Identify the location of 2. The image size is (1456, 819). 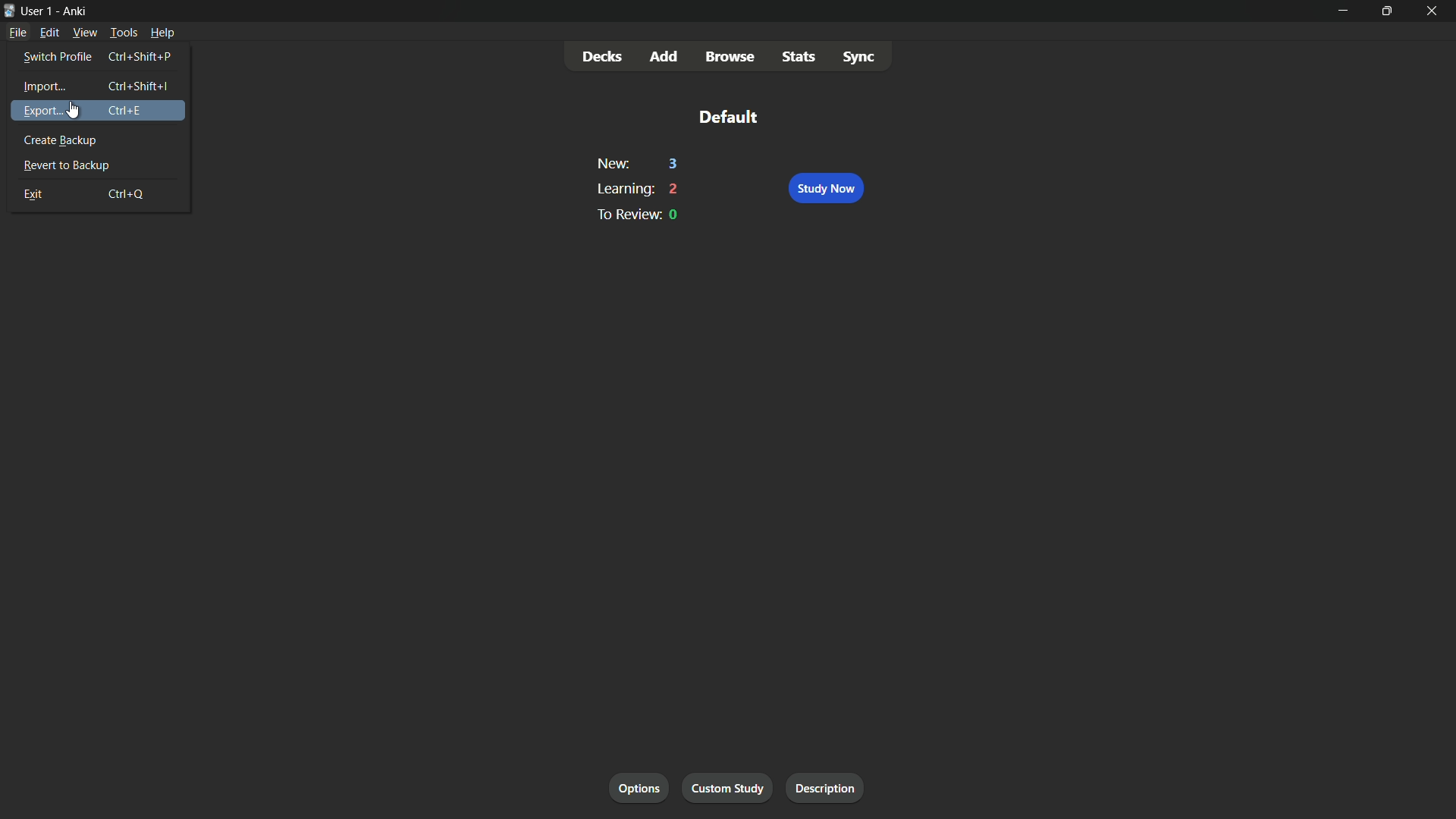
(675, 189).